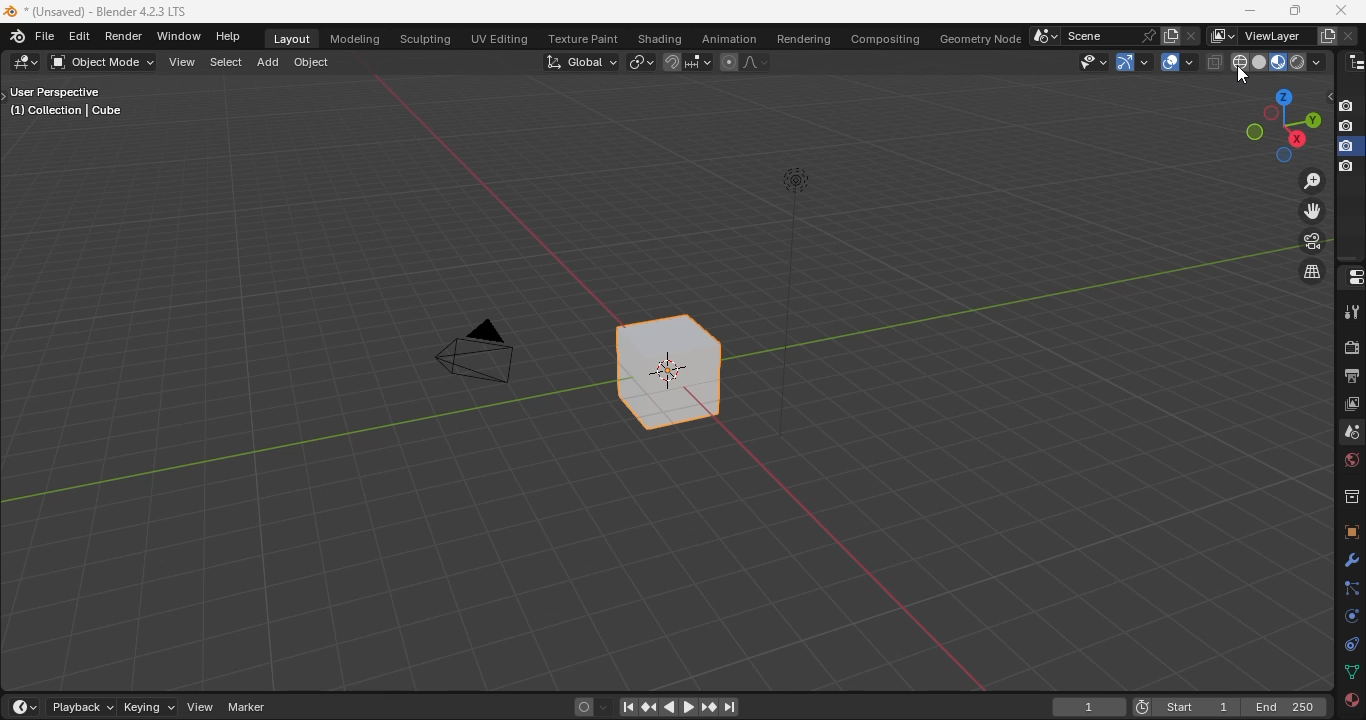  Describe the element at coordinates (1177, 62) in the screenshot. I see `overlays` at that location.